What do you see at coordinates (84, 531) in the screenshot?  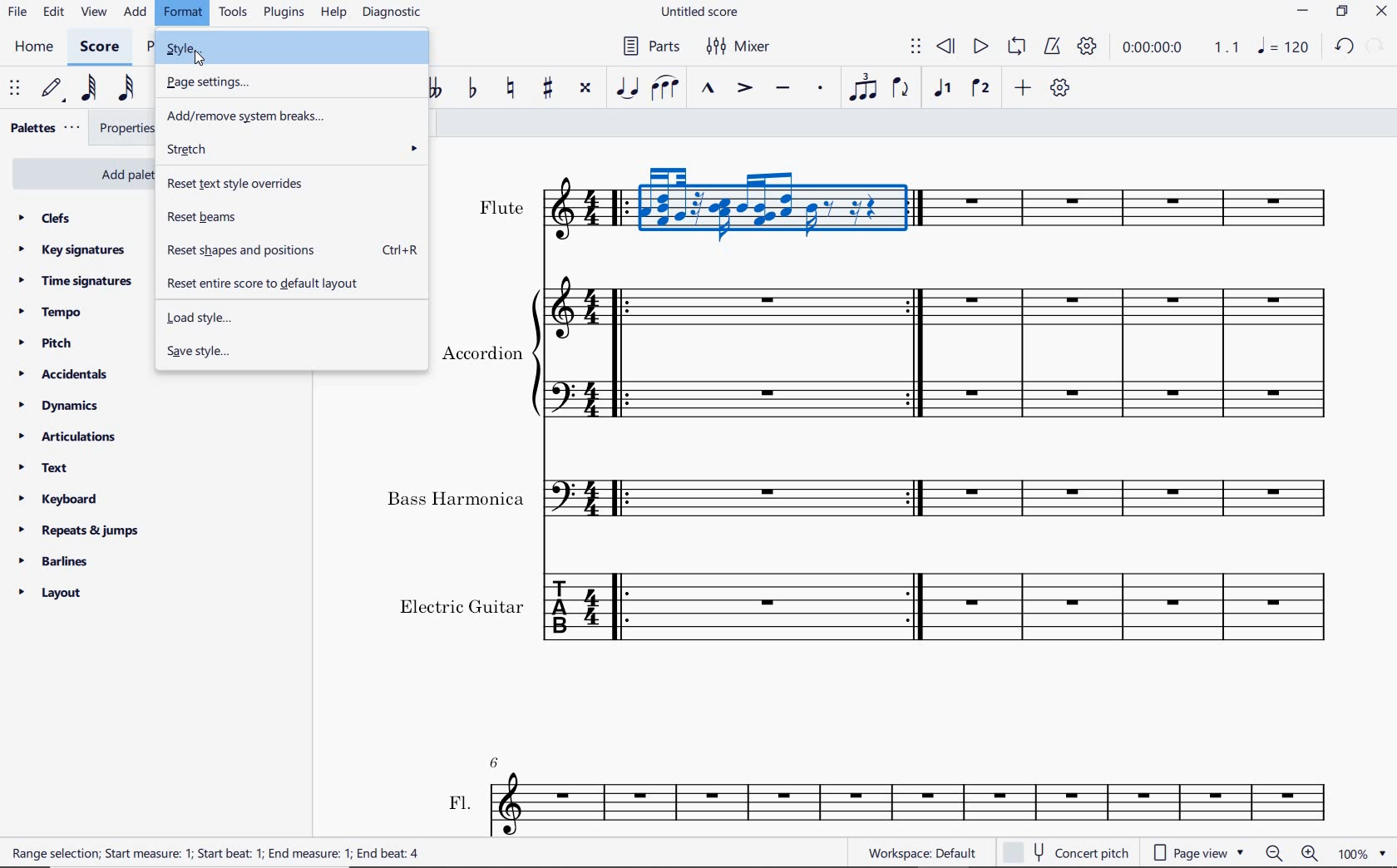 I see `repeats & jumps` at bounding box center [84, 531].